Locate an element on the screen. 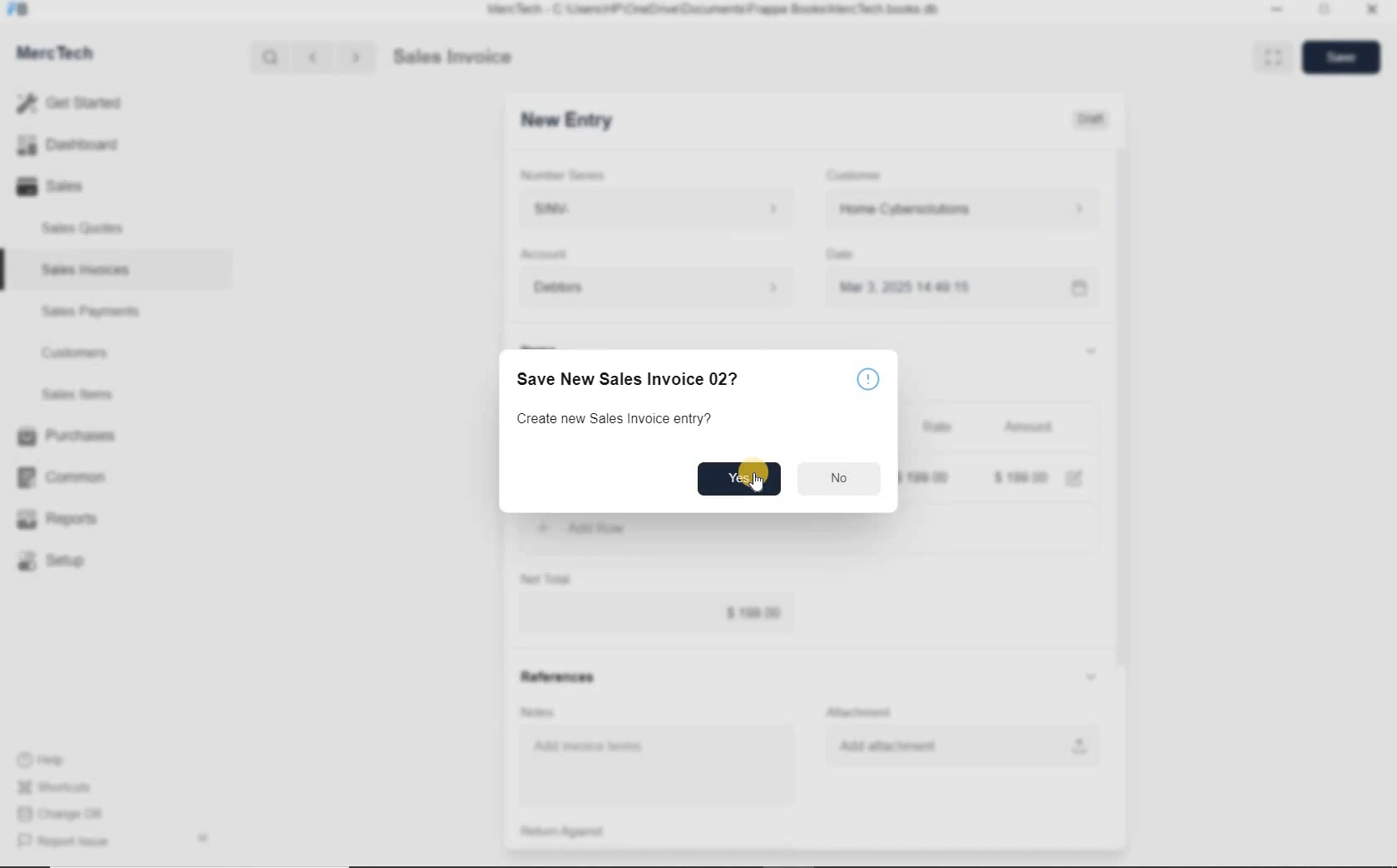 The width and height of the screenshot is (1397, 868). Toggle between form and full width is located at coordinates (1269, 56).